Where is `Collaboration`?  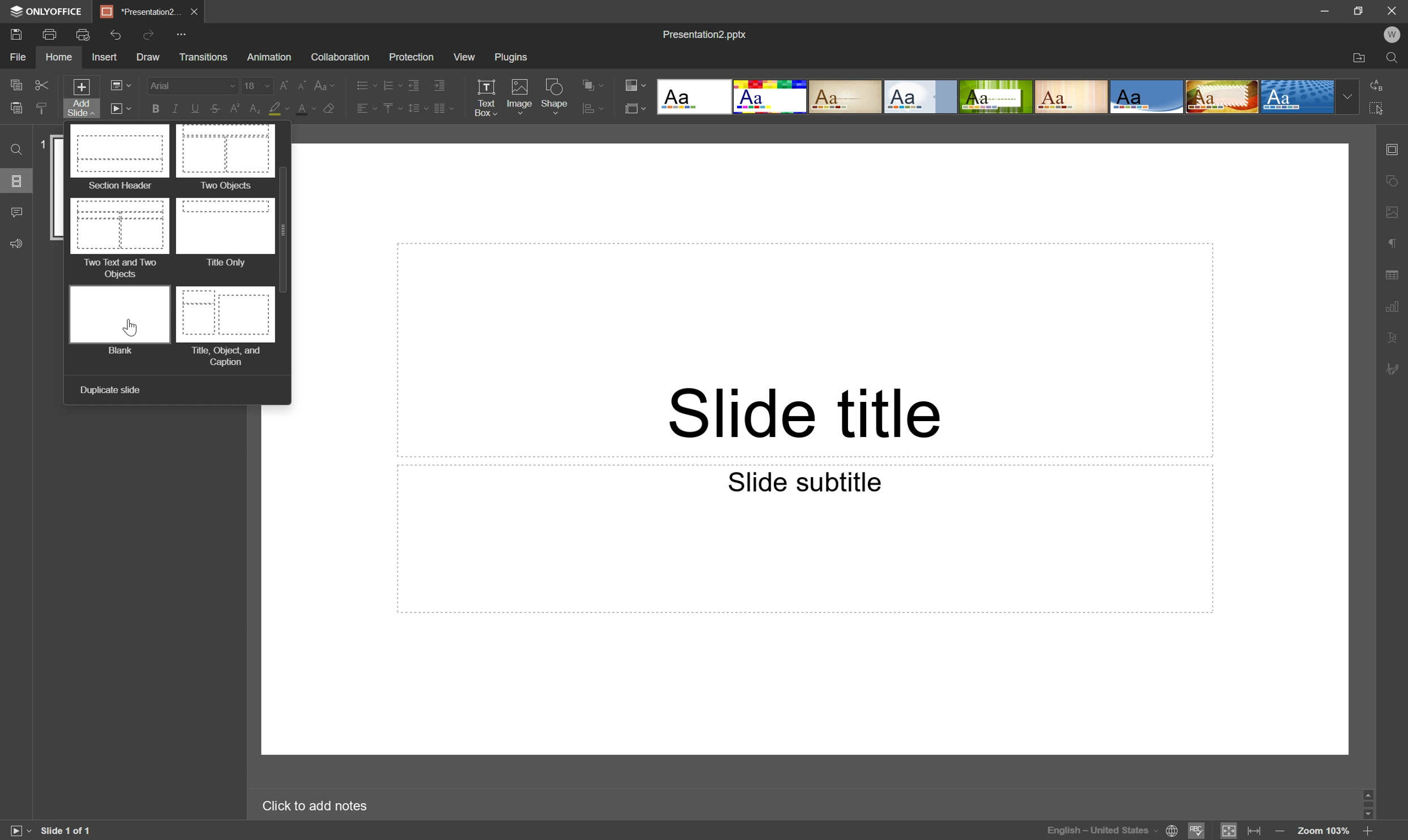
Collaboration is located at coordinates (341, 57).